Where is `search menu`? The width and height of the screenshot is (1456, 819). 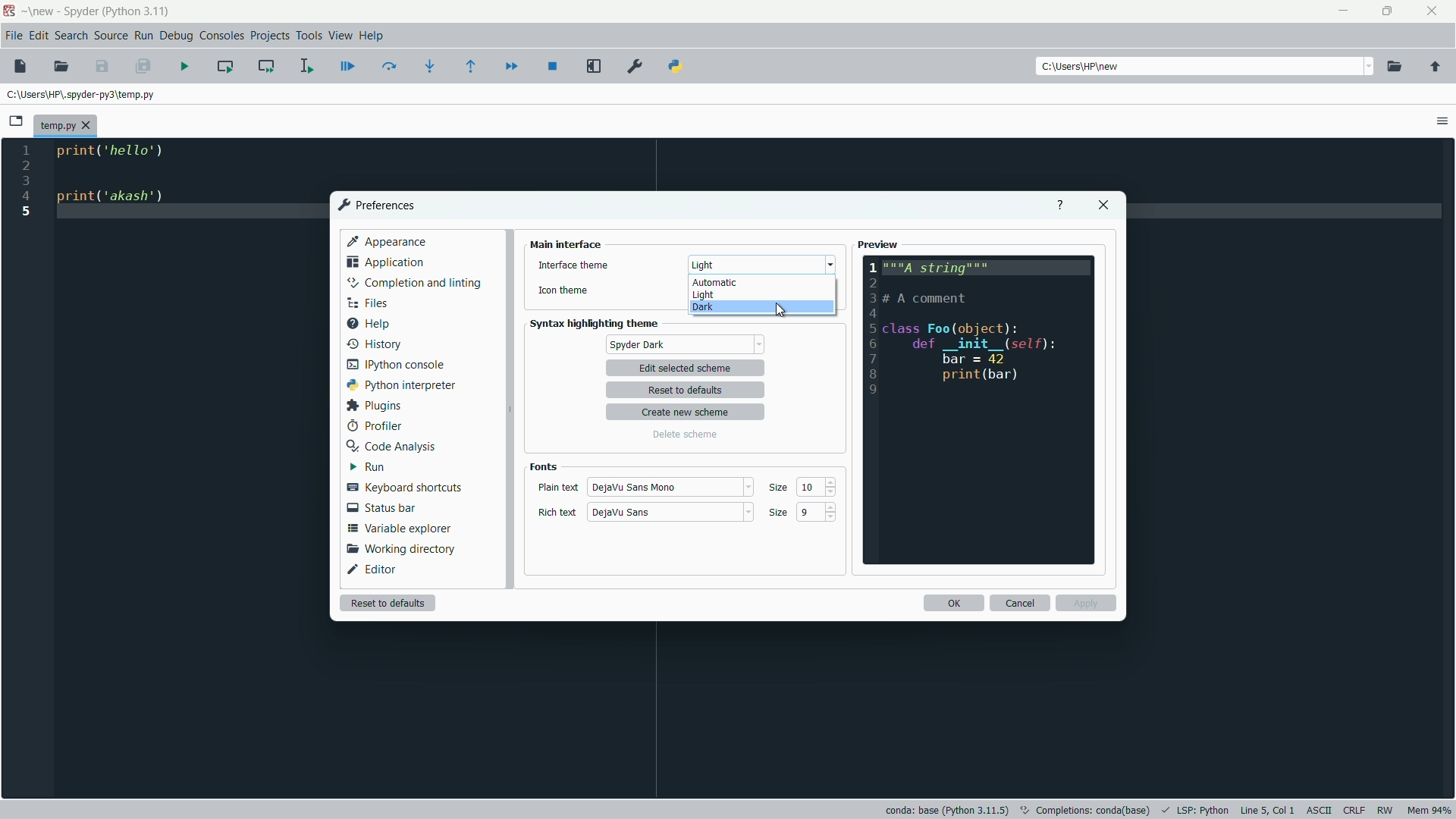
search menu is located at coordinates (71, 35).